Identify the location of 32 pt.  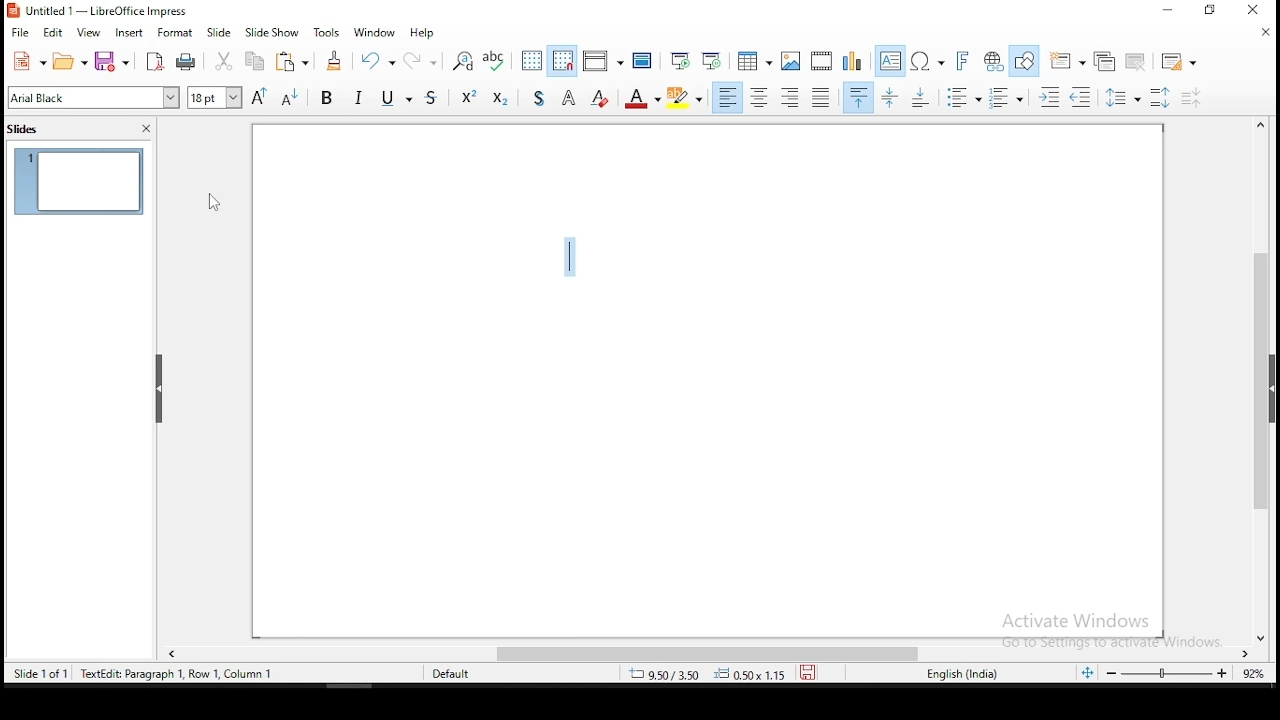
(213, 98).